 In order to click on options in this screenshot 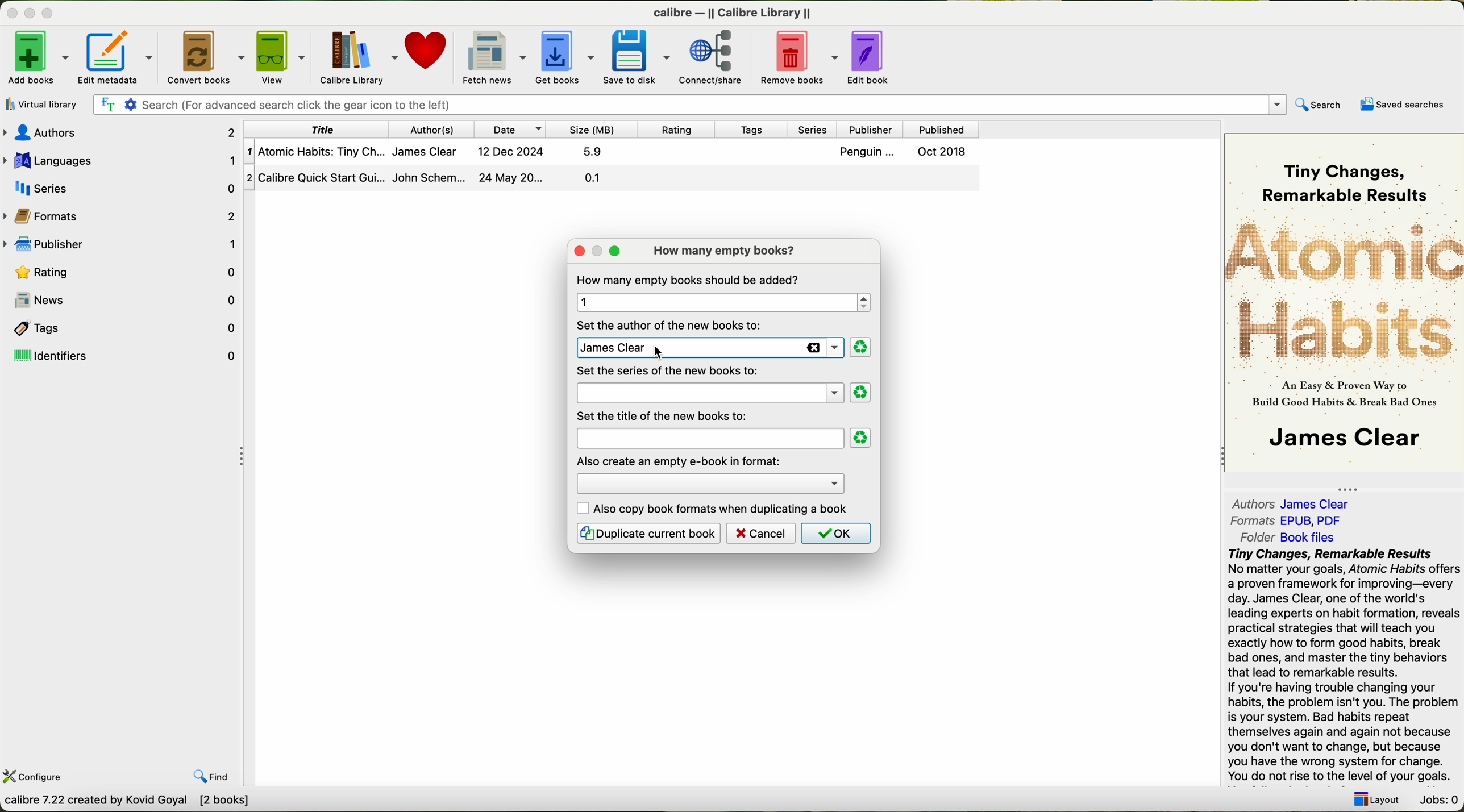, I will do `click(709, 481)`.